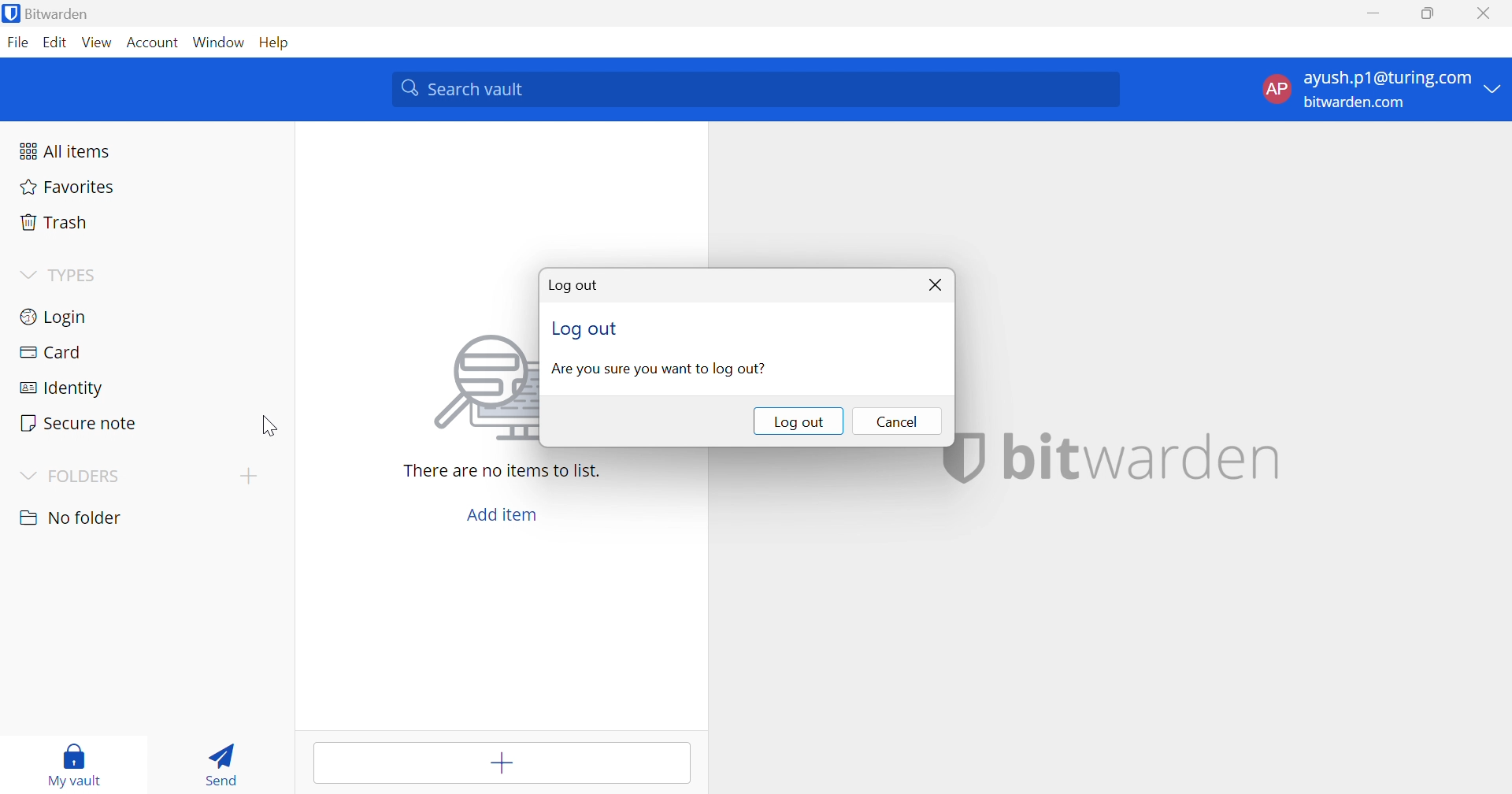  Describe the element at coordinates (27, 477) in the screenshot. I see `Drop Down` at that location.